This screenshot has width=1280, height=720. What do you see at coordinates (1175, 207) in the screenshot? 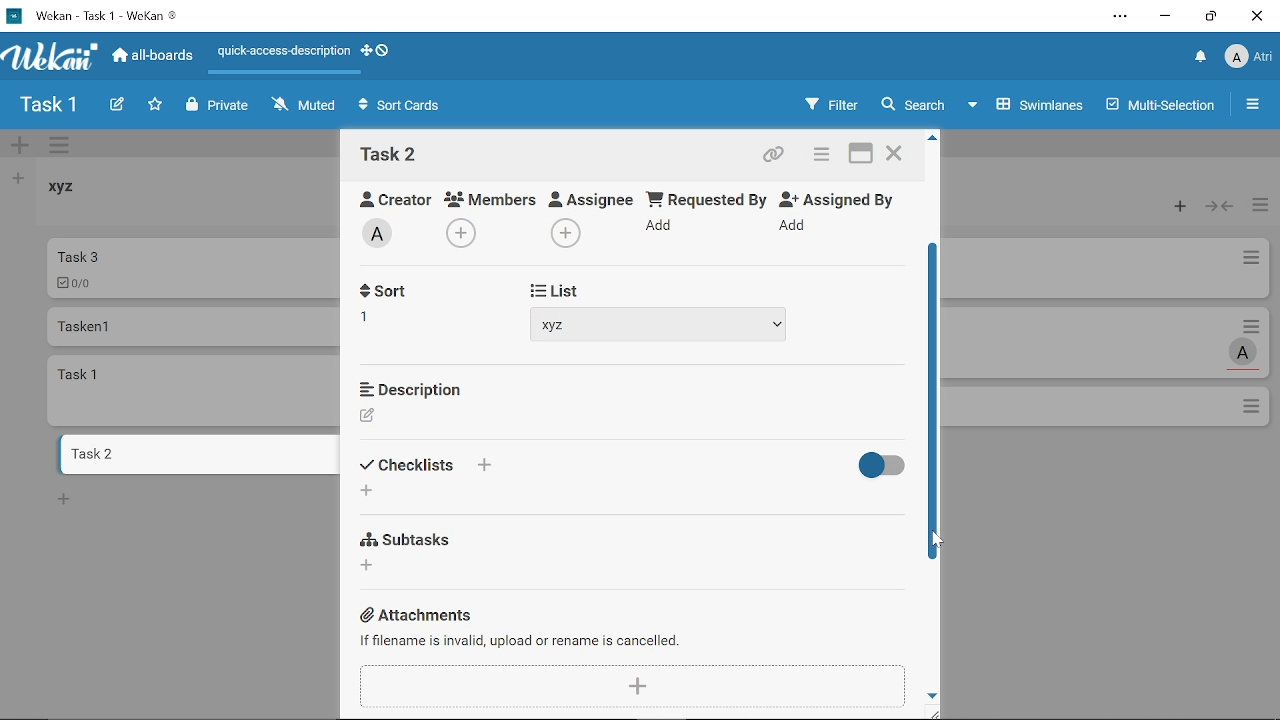
I see `Add card to the top` at bounding box center [1175, 207].